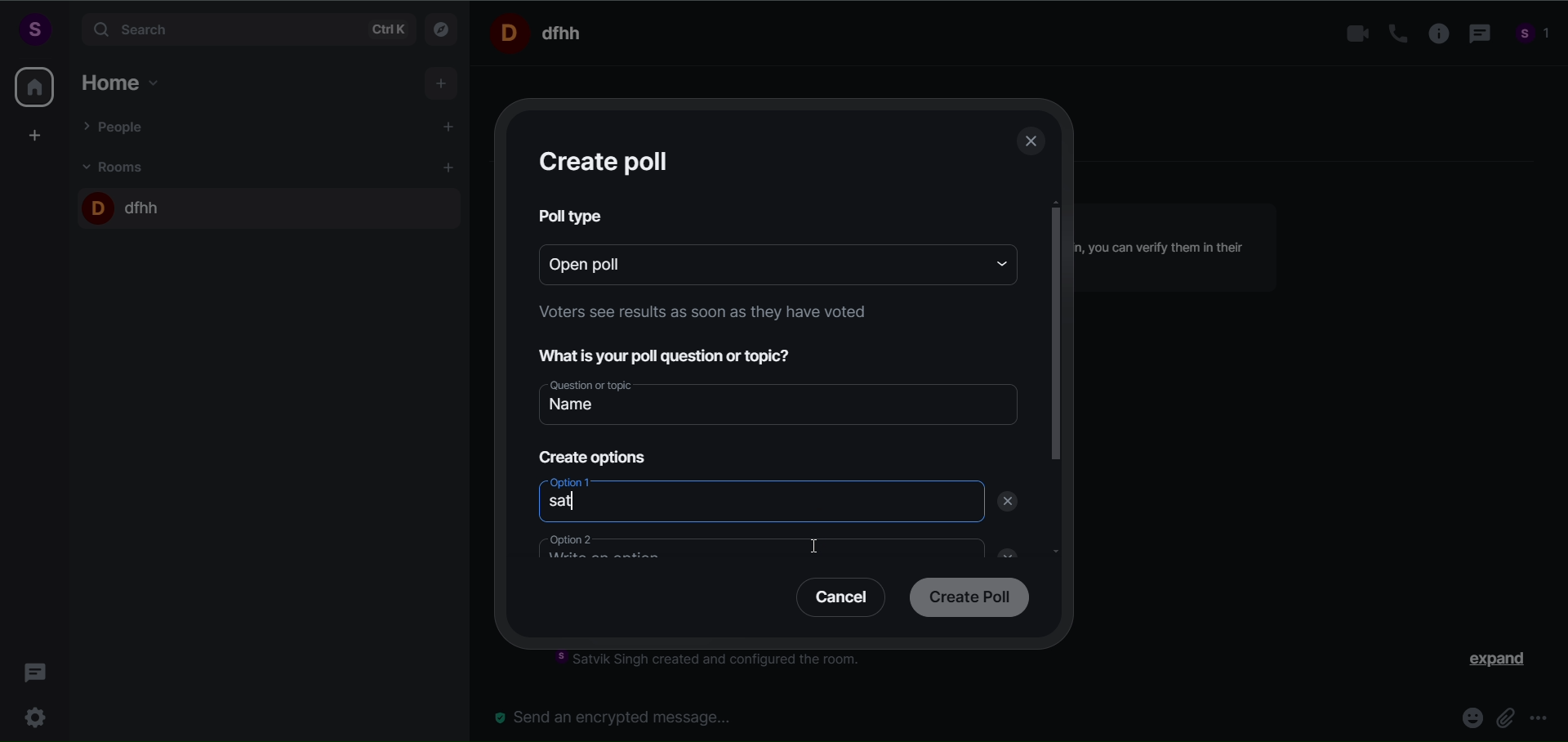 The width and height of the screenshot is (1568, 742). Describe the element at coordinates (698, 315) in the screenshot. I see `instruction` at that location.